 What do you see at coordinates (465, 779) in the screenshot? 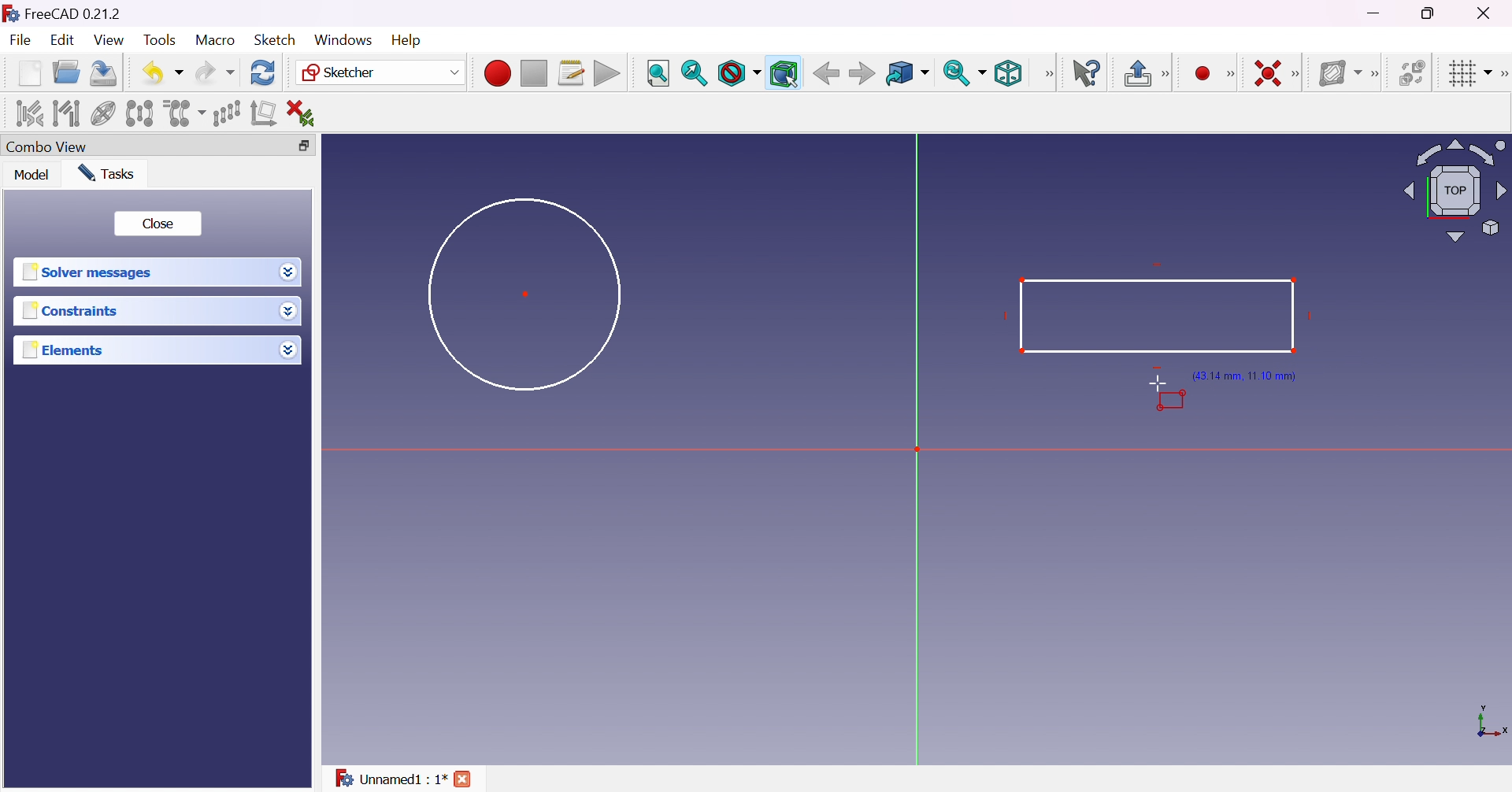
I see `close` at bounding box center [465, 779].